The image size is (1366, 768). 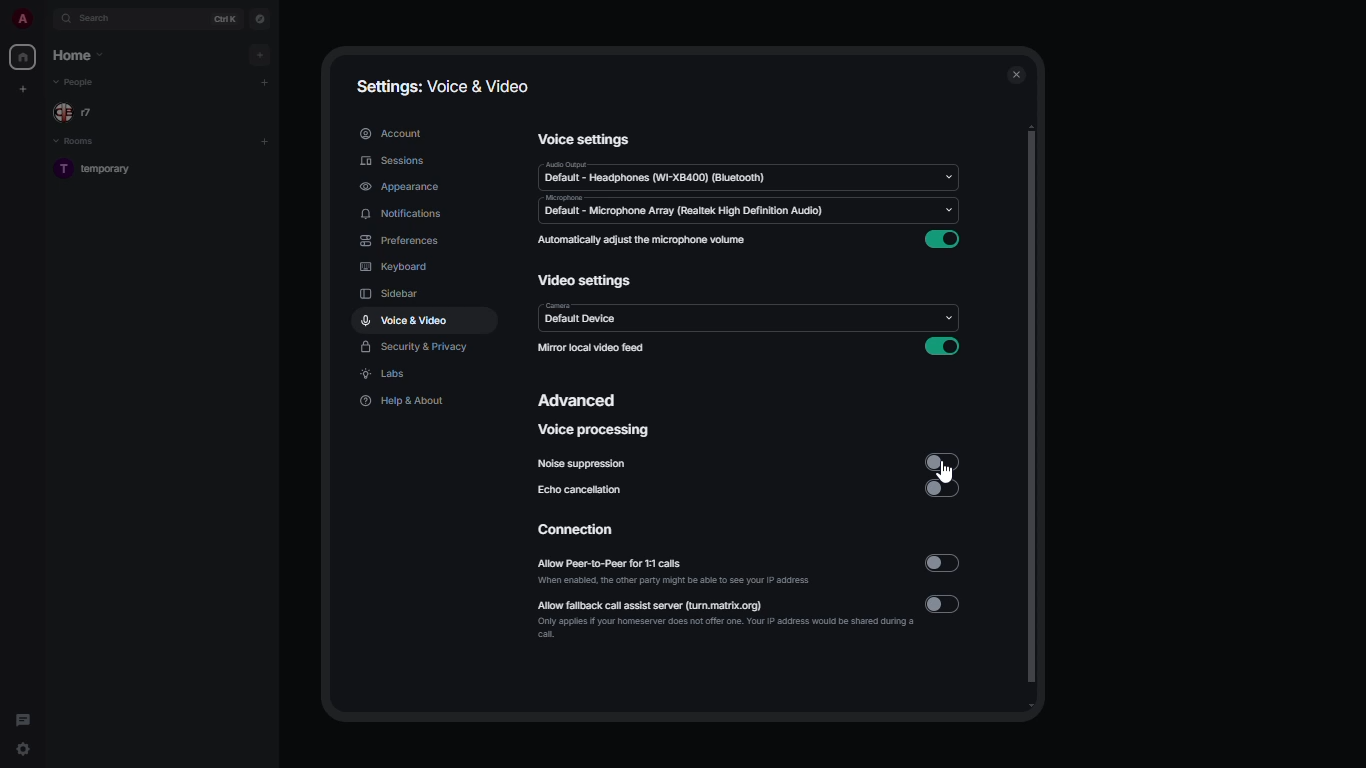 What do you see at coordinates (579, 316) in the screenshot?
I see `camera default` at bounding box center [579, 316].